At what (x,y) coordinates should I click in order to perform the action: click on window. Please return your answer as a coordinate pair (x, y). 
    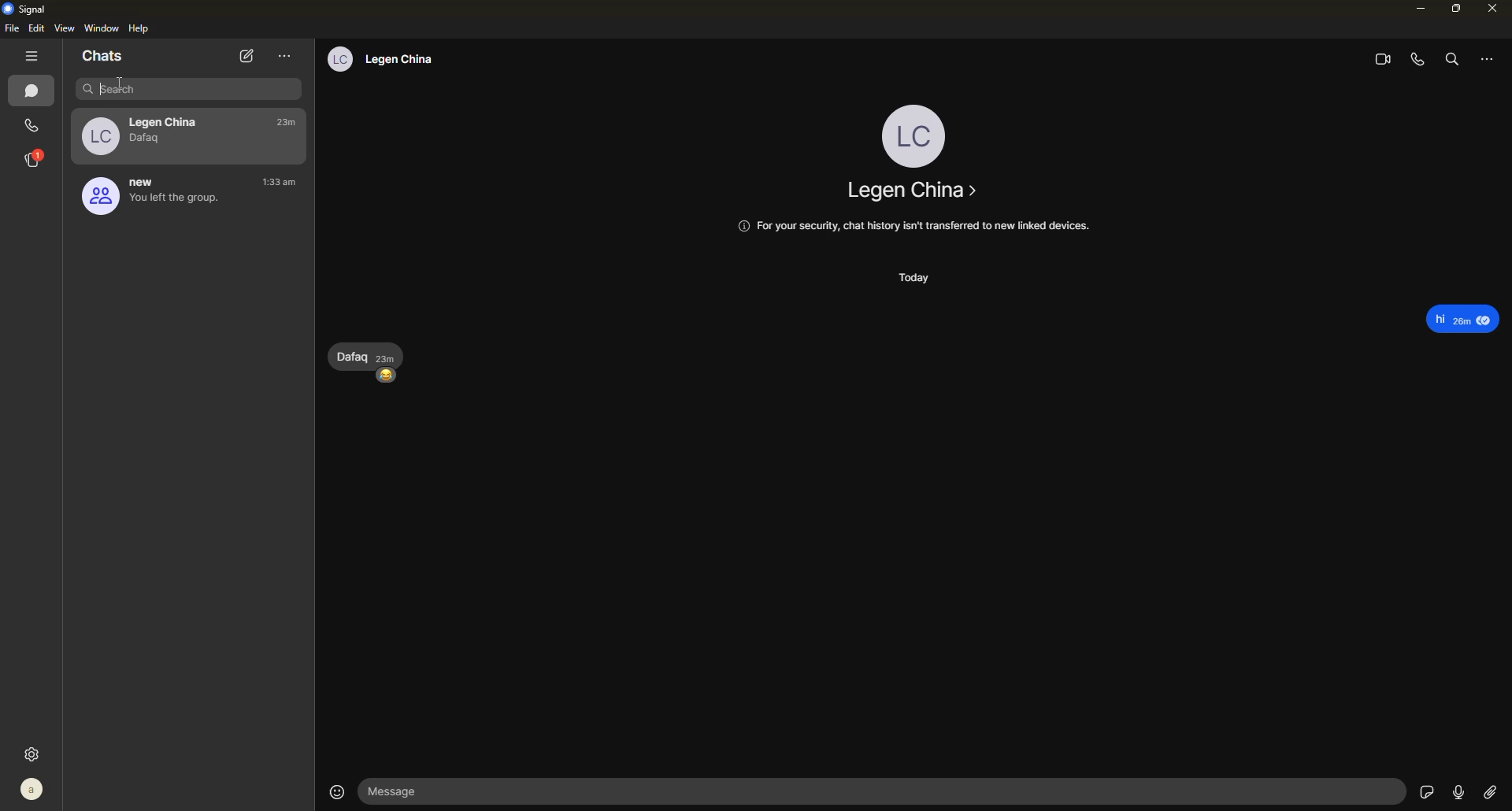
    Looking at the image, I should click on (102, 28).